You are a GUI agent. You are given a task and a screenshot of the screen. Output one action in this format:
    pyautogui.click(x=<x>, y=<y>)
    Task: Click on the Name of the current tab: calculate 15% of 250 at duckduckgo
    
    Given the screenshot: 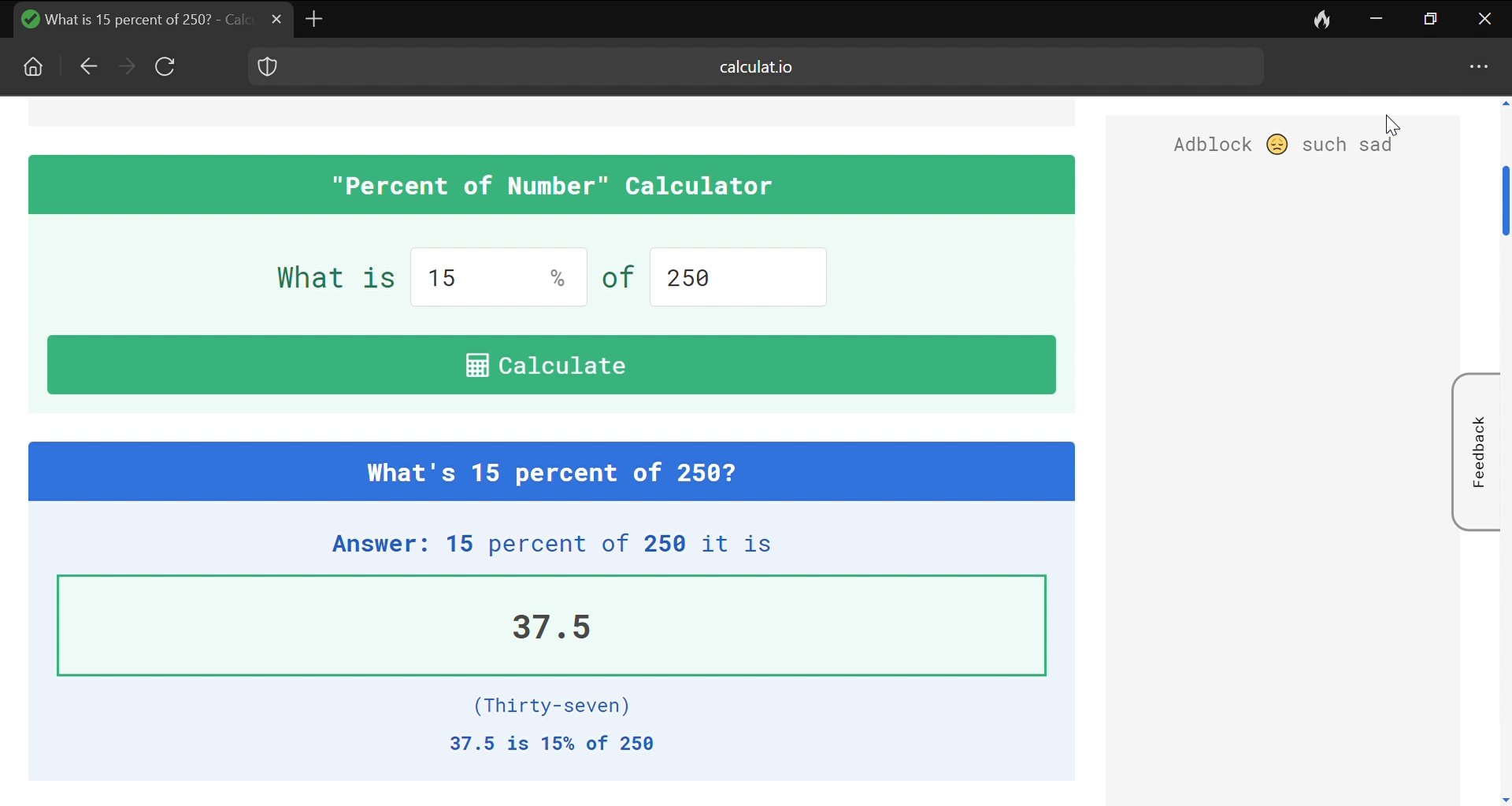 What is the action you would take?
    pyautogui.click(x=130, y=18)
    